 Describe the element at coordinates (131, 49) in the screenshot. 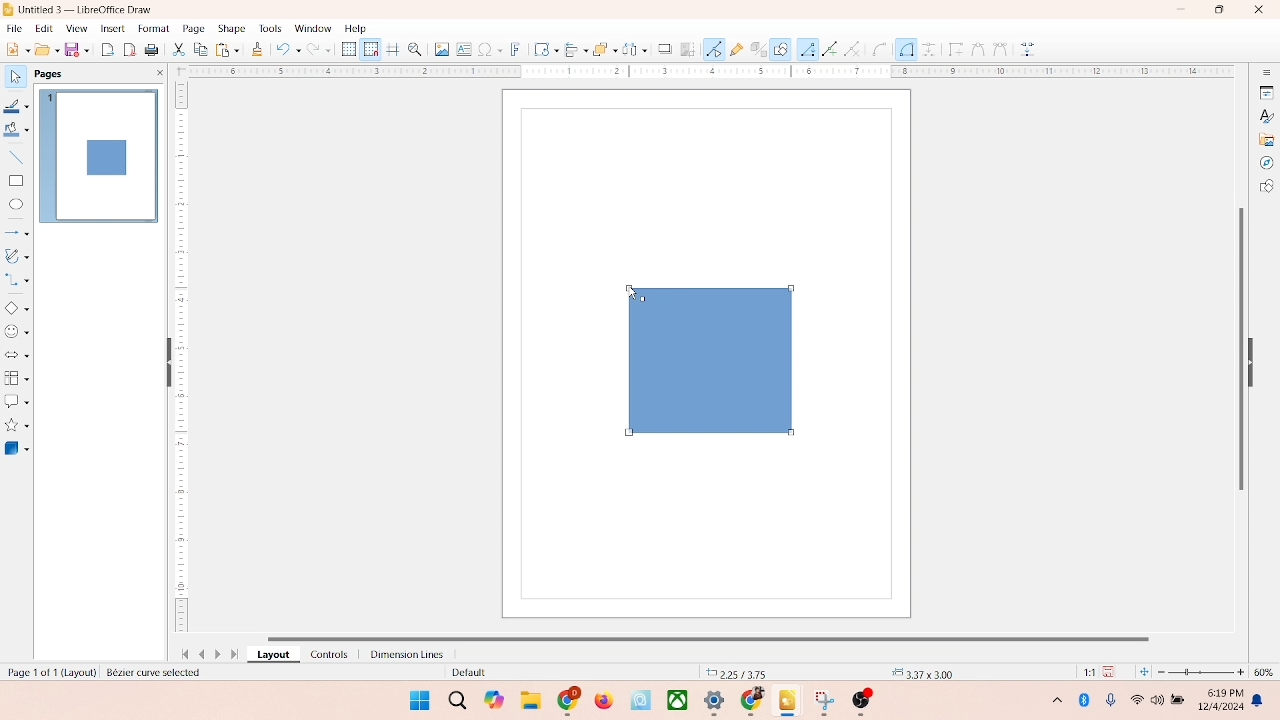

I see `export directly as PDF` at that location.